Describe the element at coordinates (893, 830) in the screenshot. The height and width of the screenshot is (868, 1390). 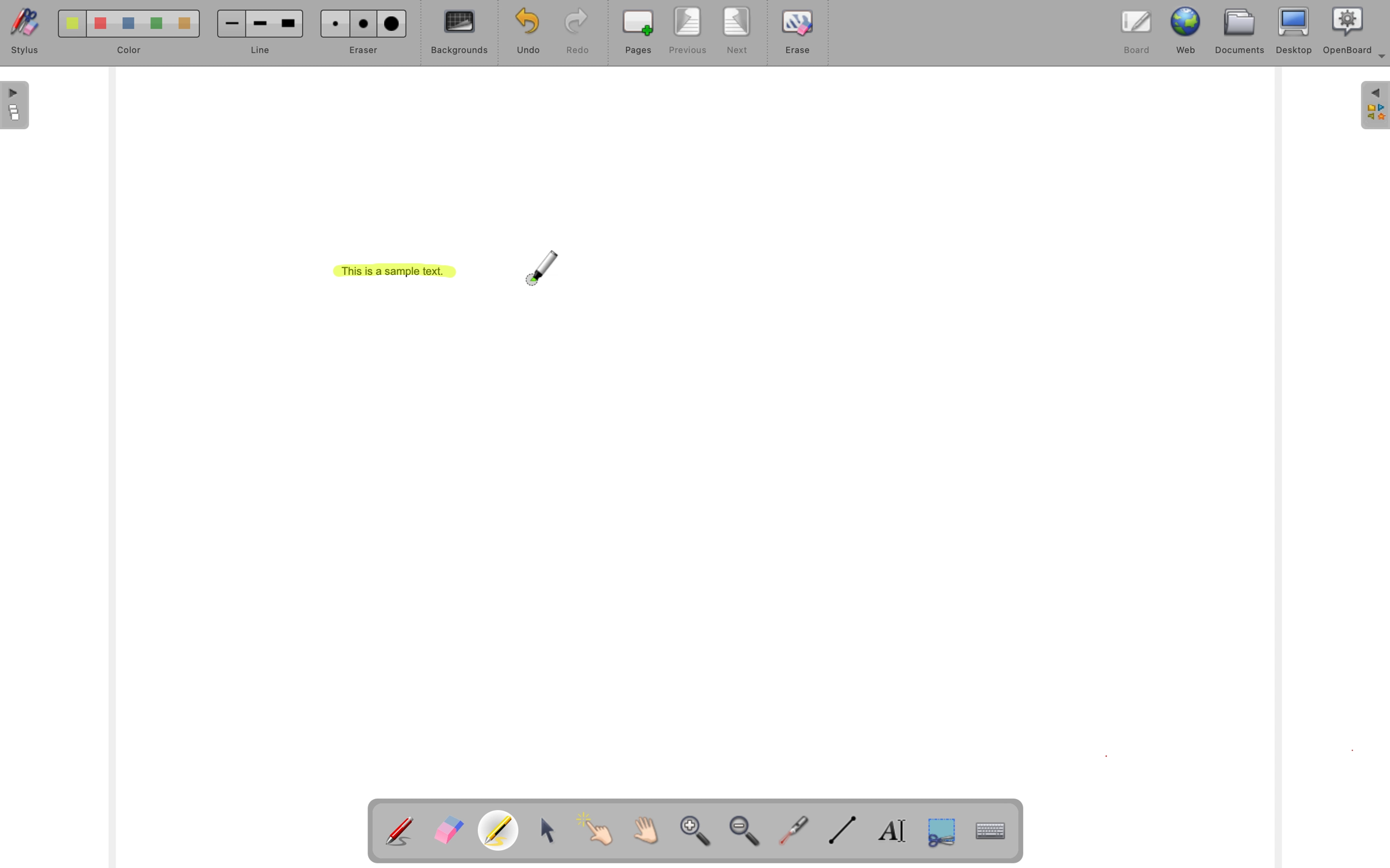
I see `write text` at that location.